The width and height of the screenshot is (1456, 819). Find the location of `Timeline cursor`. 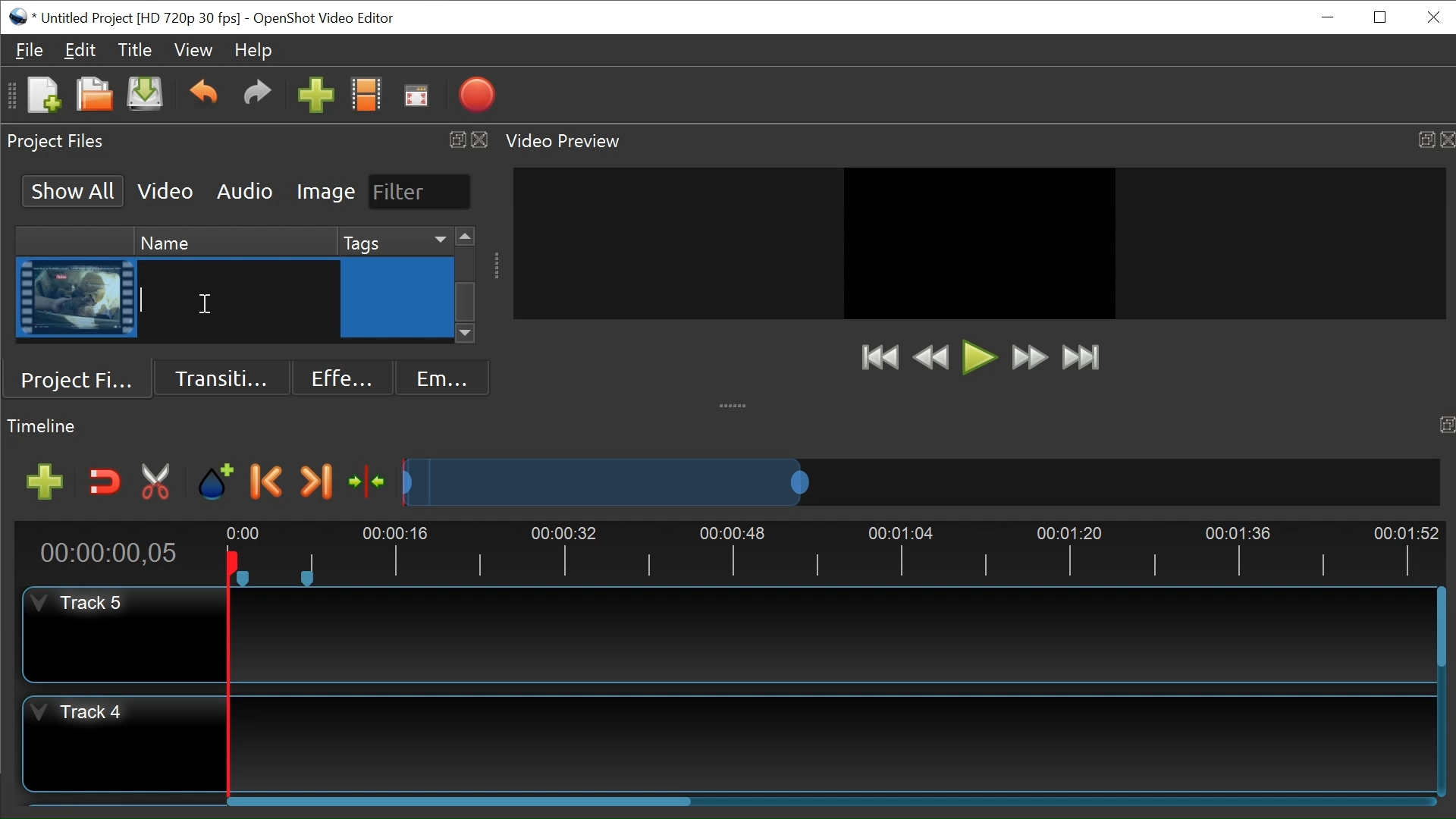

Timeline cursor is located at coordinates (227, 676).